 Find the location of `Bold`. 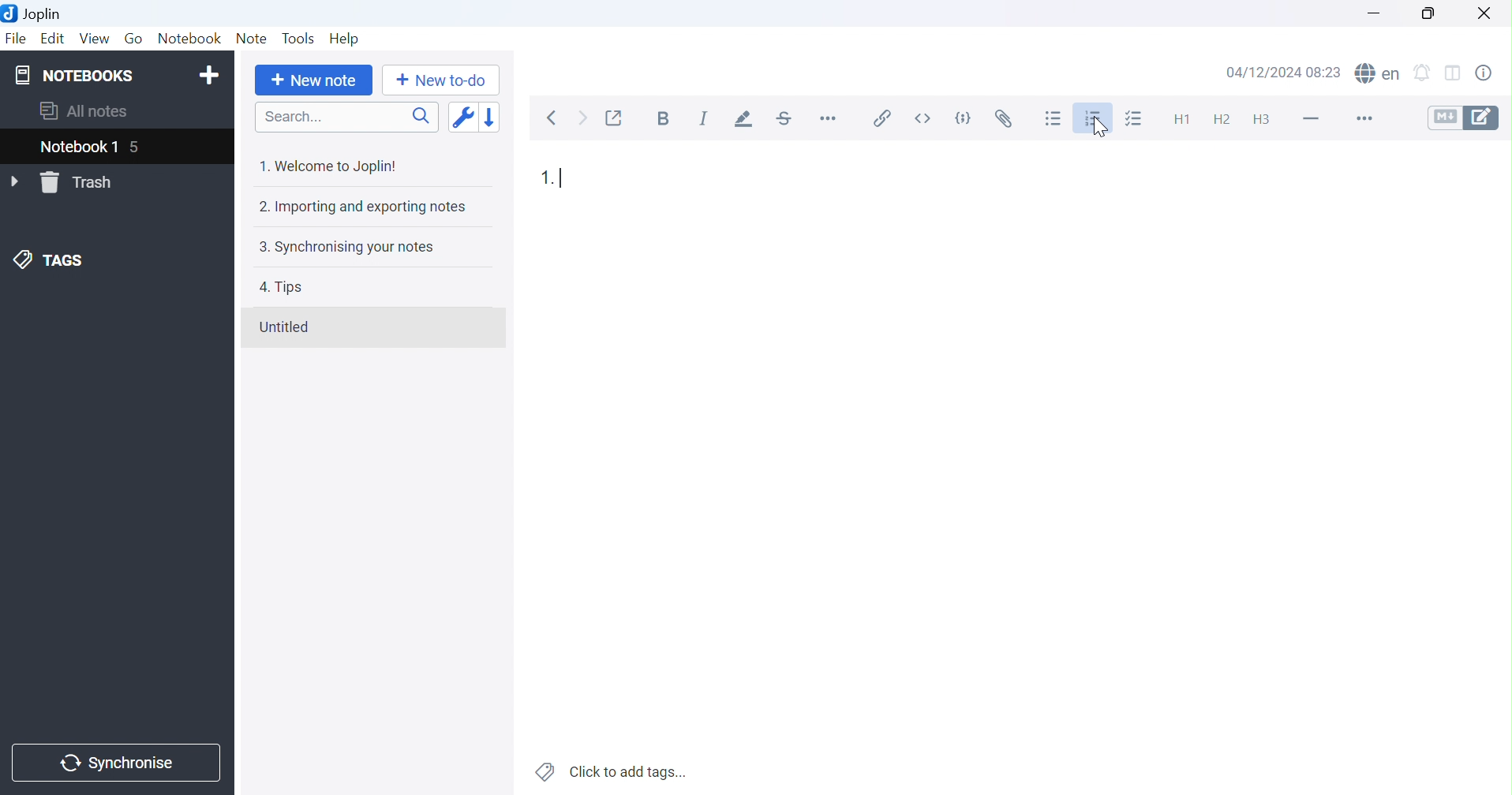

Bold is located at coordinates (664, 118).